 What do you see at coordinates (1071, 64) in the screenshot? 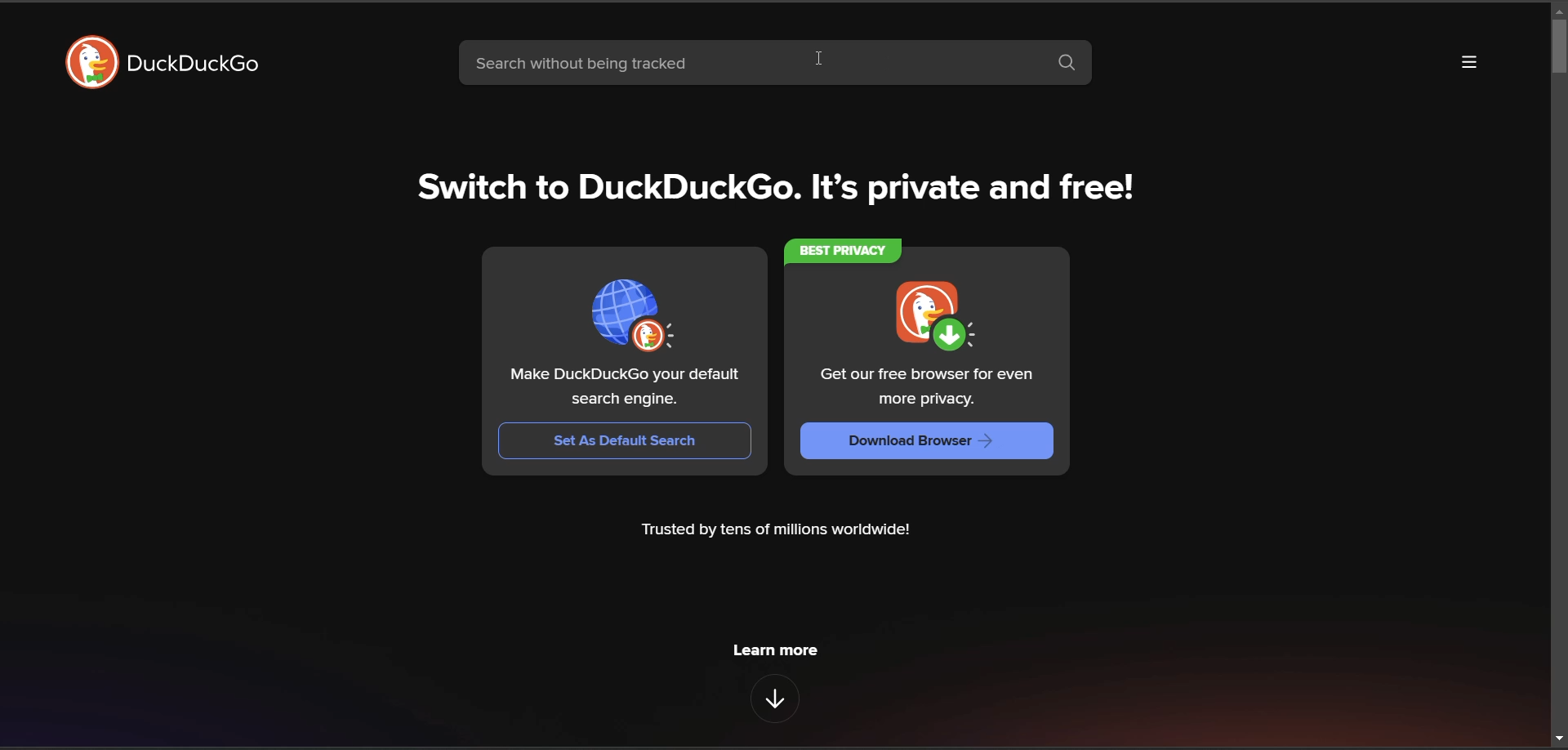
I see `search button` at bounding box center [1071, 64].